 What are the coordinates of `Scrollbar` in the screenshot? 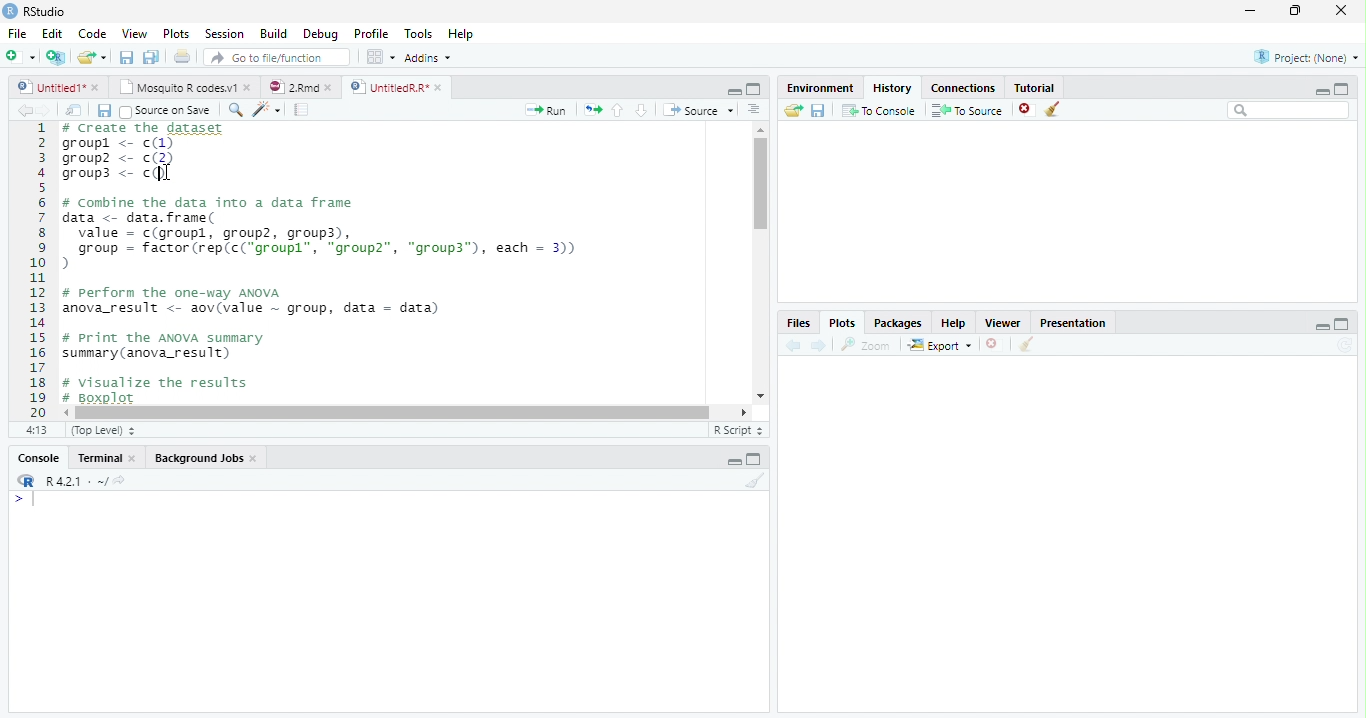 It's located at (758, 263).